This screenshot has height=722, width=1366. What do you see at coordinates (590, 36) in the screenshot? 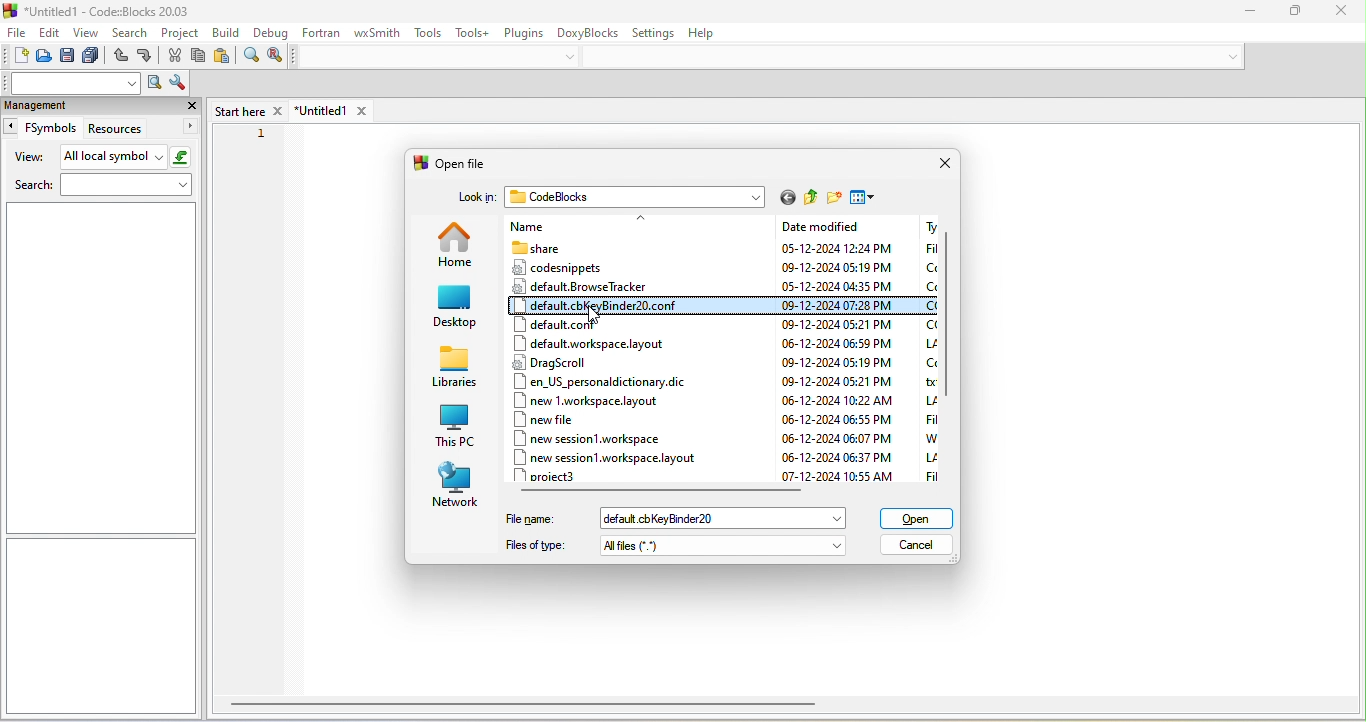
I see `doxyblocks` at bounding box center [590, 36].